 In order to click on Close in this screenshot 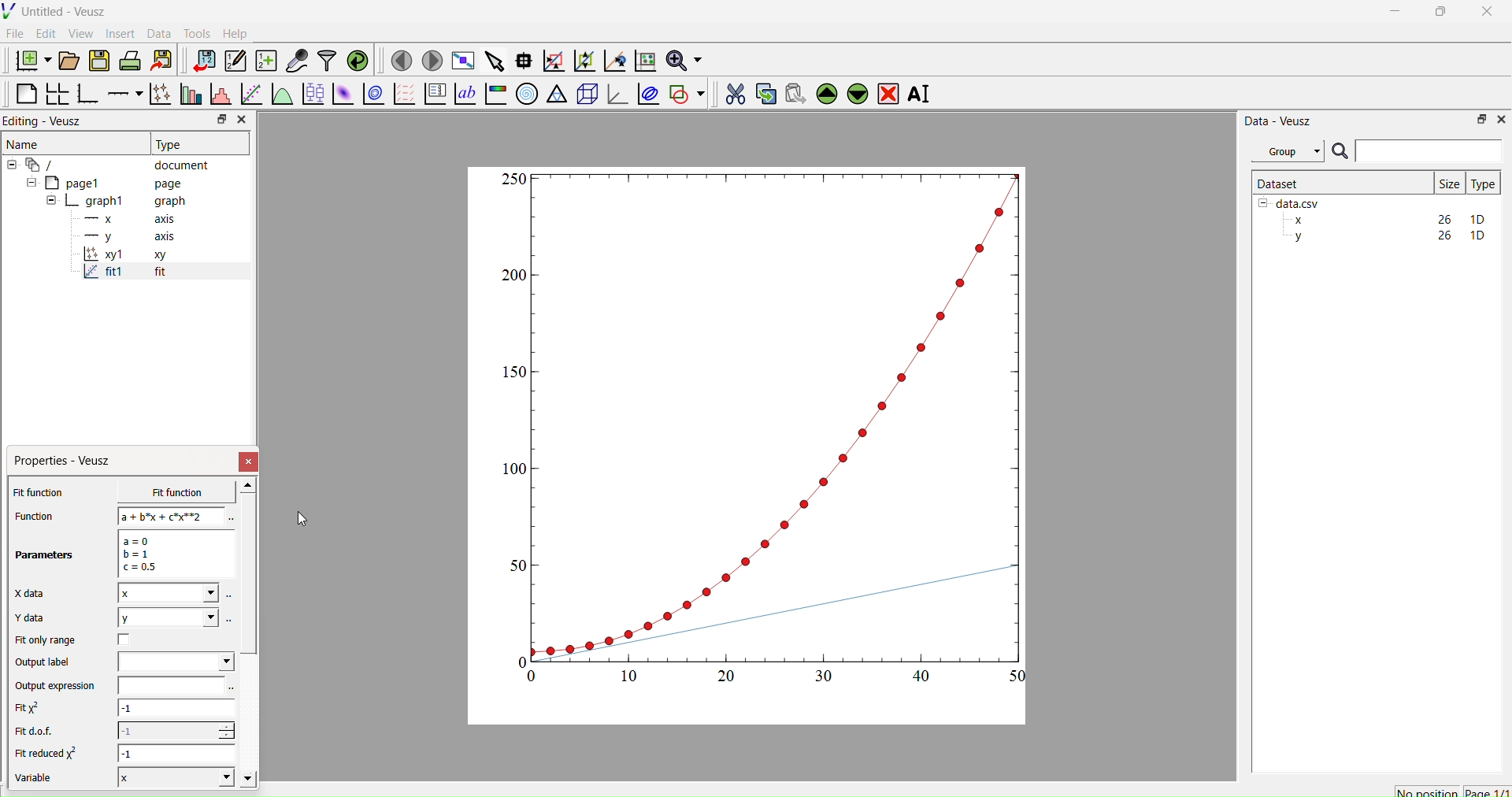, I will do `click(1488, 16)`.